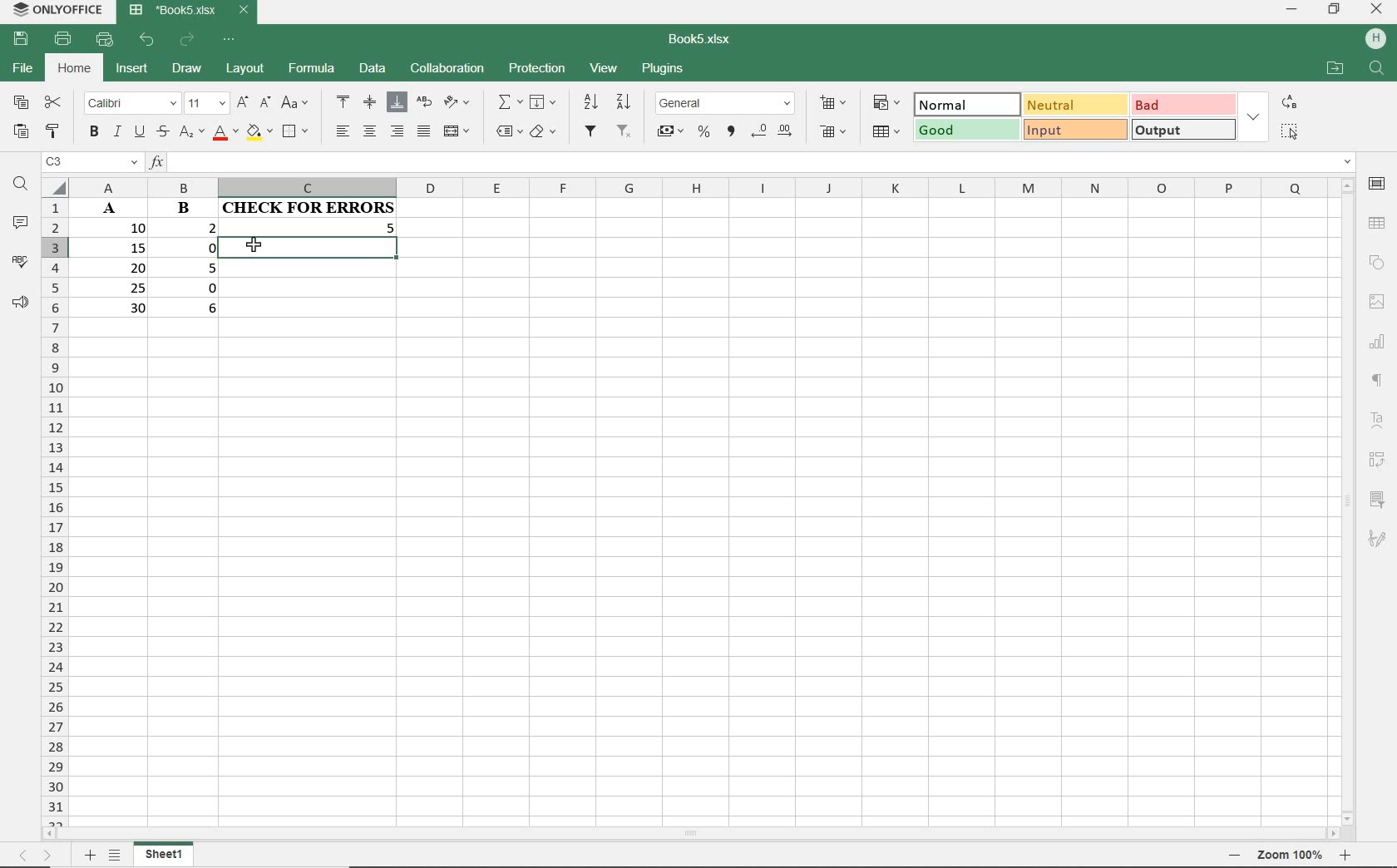 The width and height of the screenshot is (1397, 868). Describe the element at coordinates (446, 70) in the screenshot. I see `COLLABORATION` at that location.